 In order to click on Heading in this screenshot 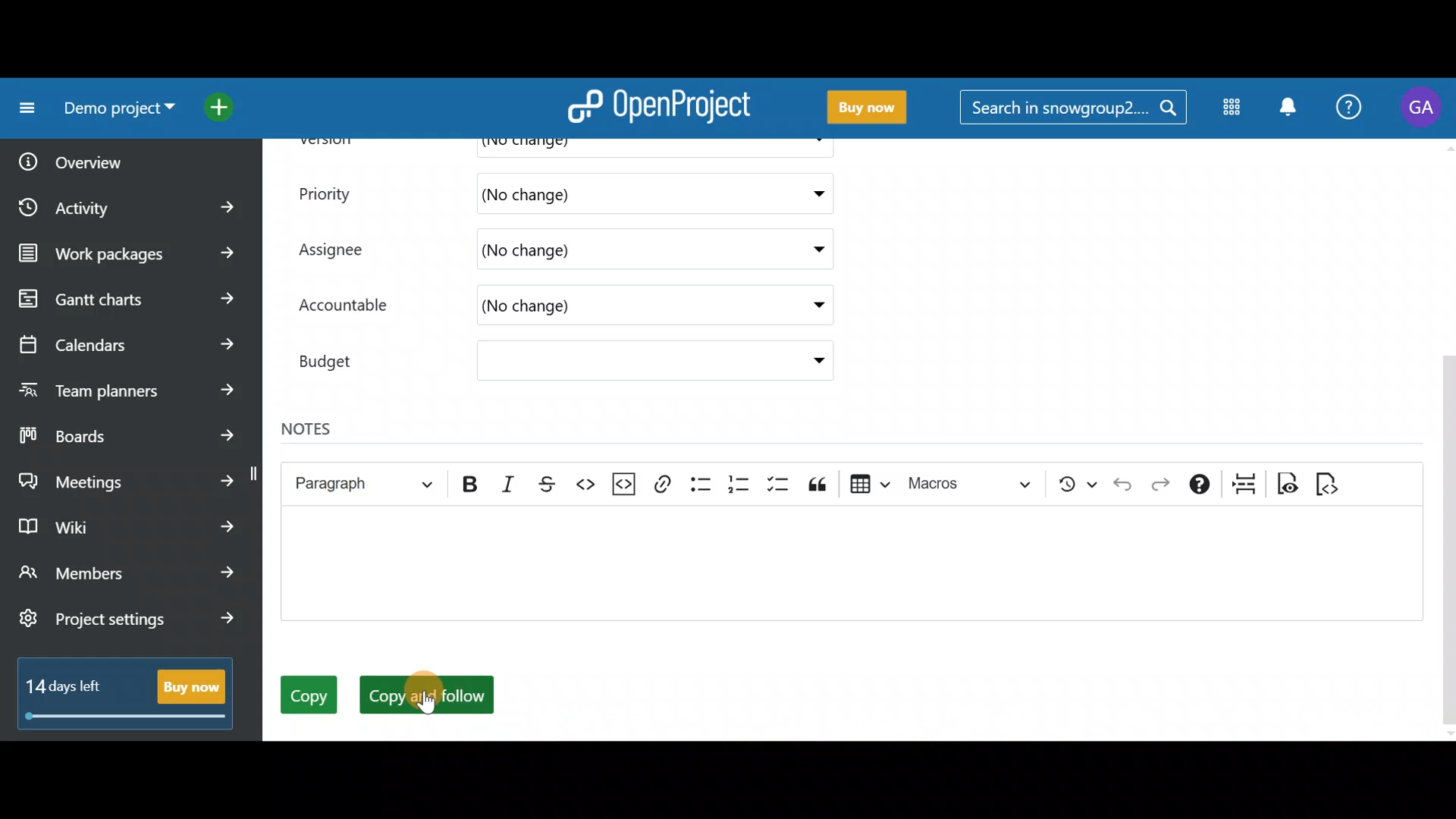, I will do `click(358, 489)`.